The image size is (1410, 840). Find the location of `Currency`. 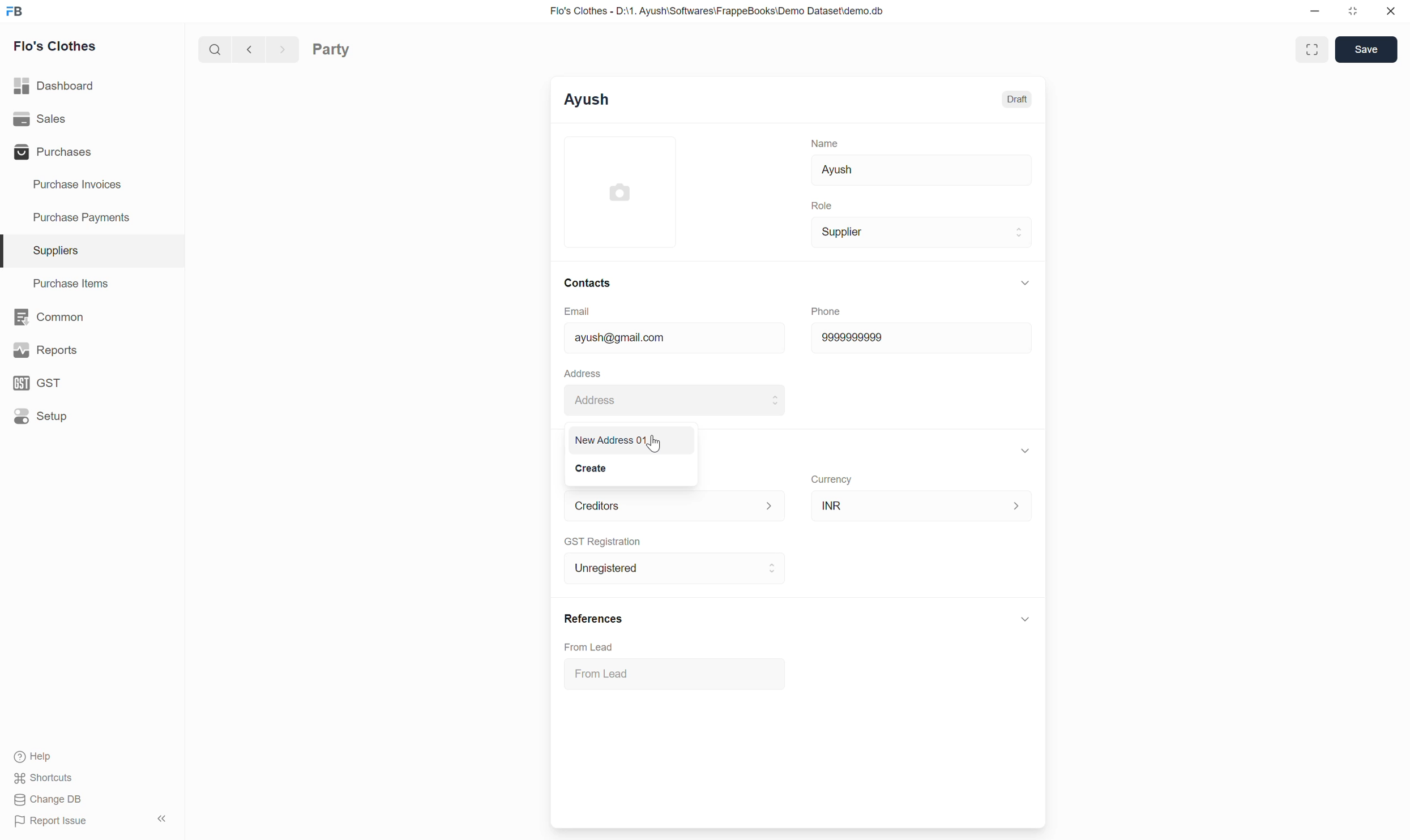

Currency is located at coordinates (832, 480).